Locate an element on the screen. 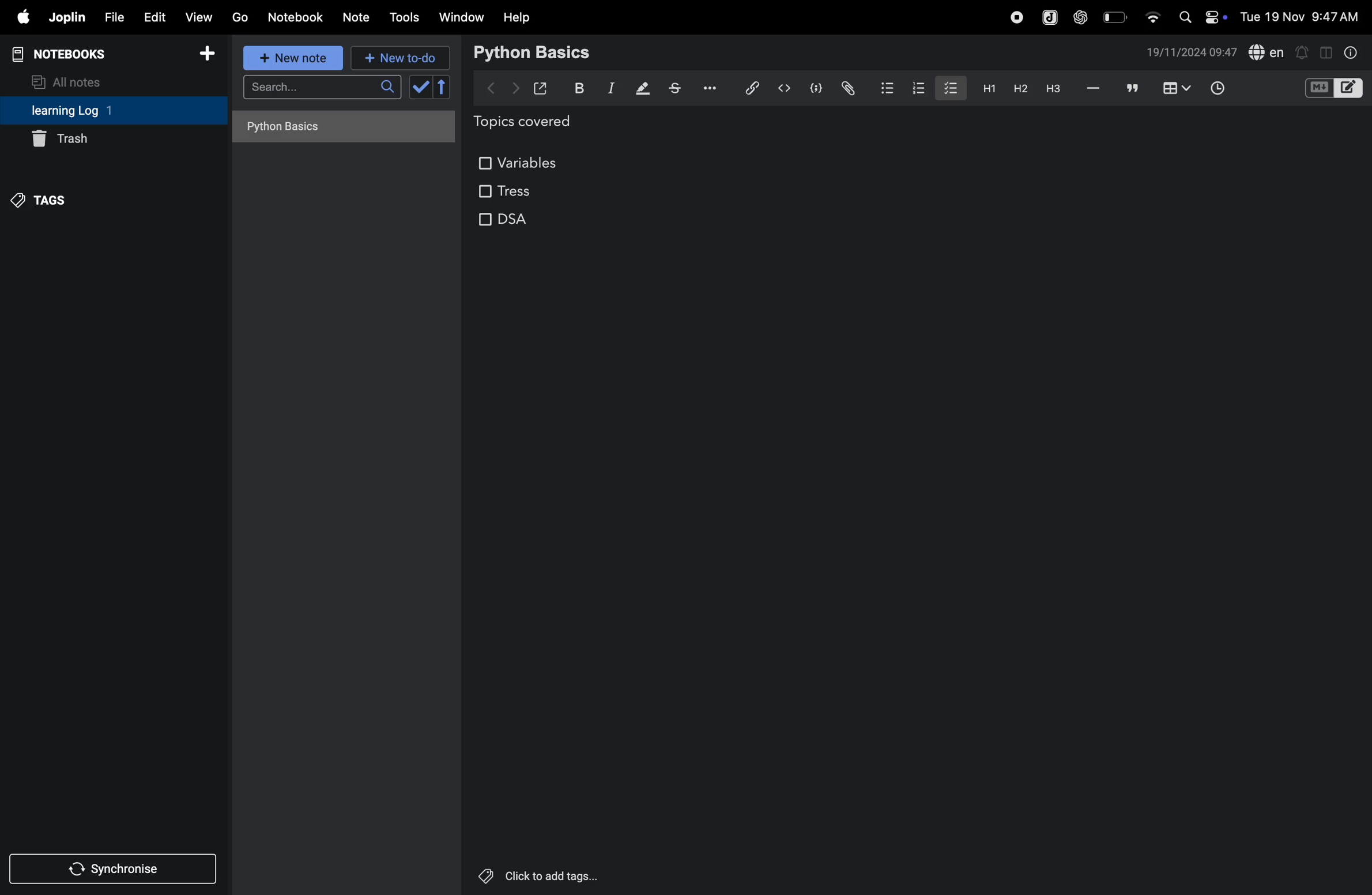  h1 is located at coordinates (986, 88).